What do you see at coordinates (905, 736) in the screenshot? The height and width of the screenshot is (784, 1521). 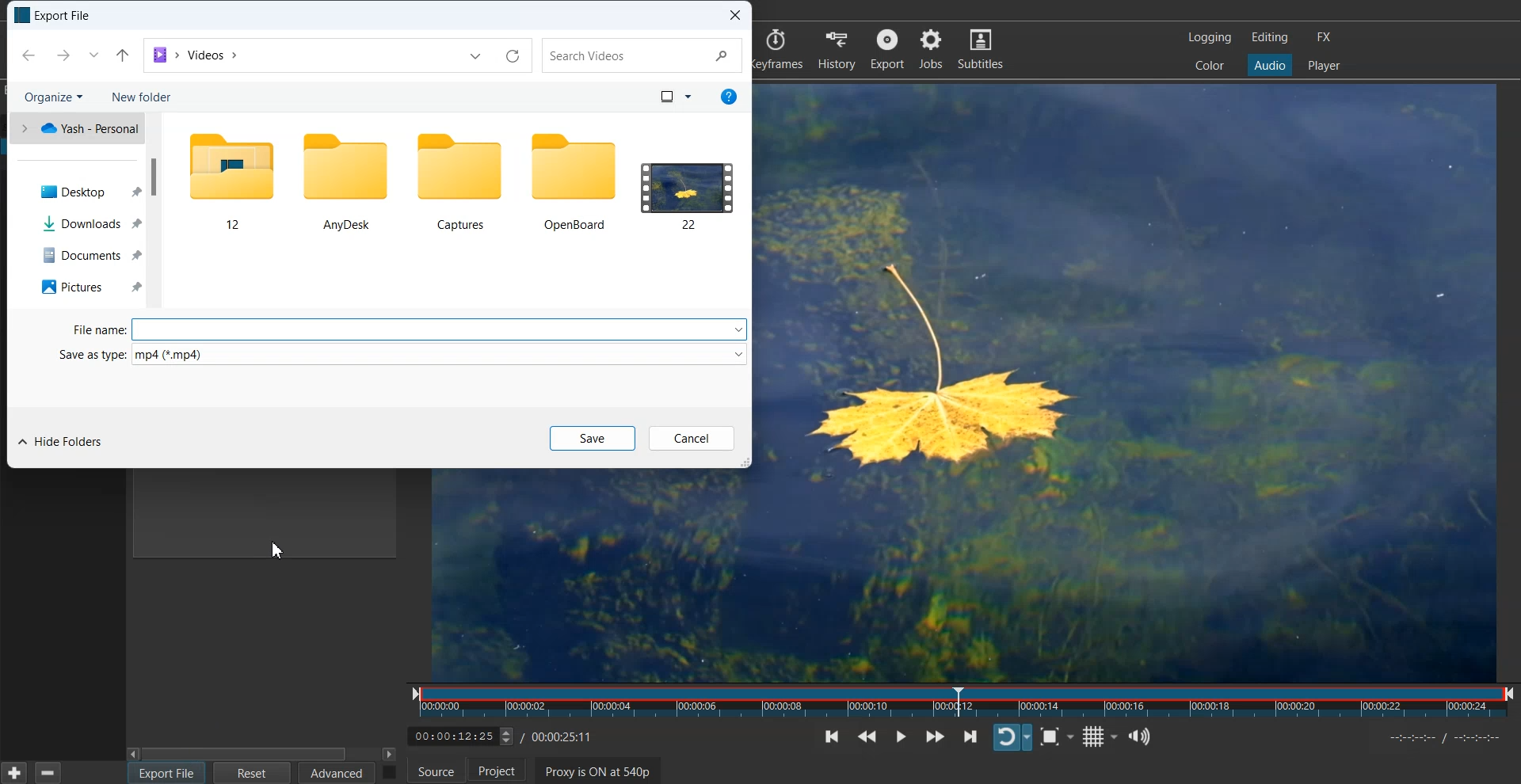 I see `Toggle play or pause` at bounding box center [905, 736].